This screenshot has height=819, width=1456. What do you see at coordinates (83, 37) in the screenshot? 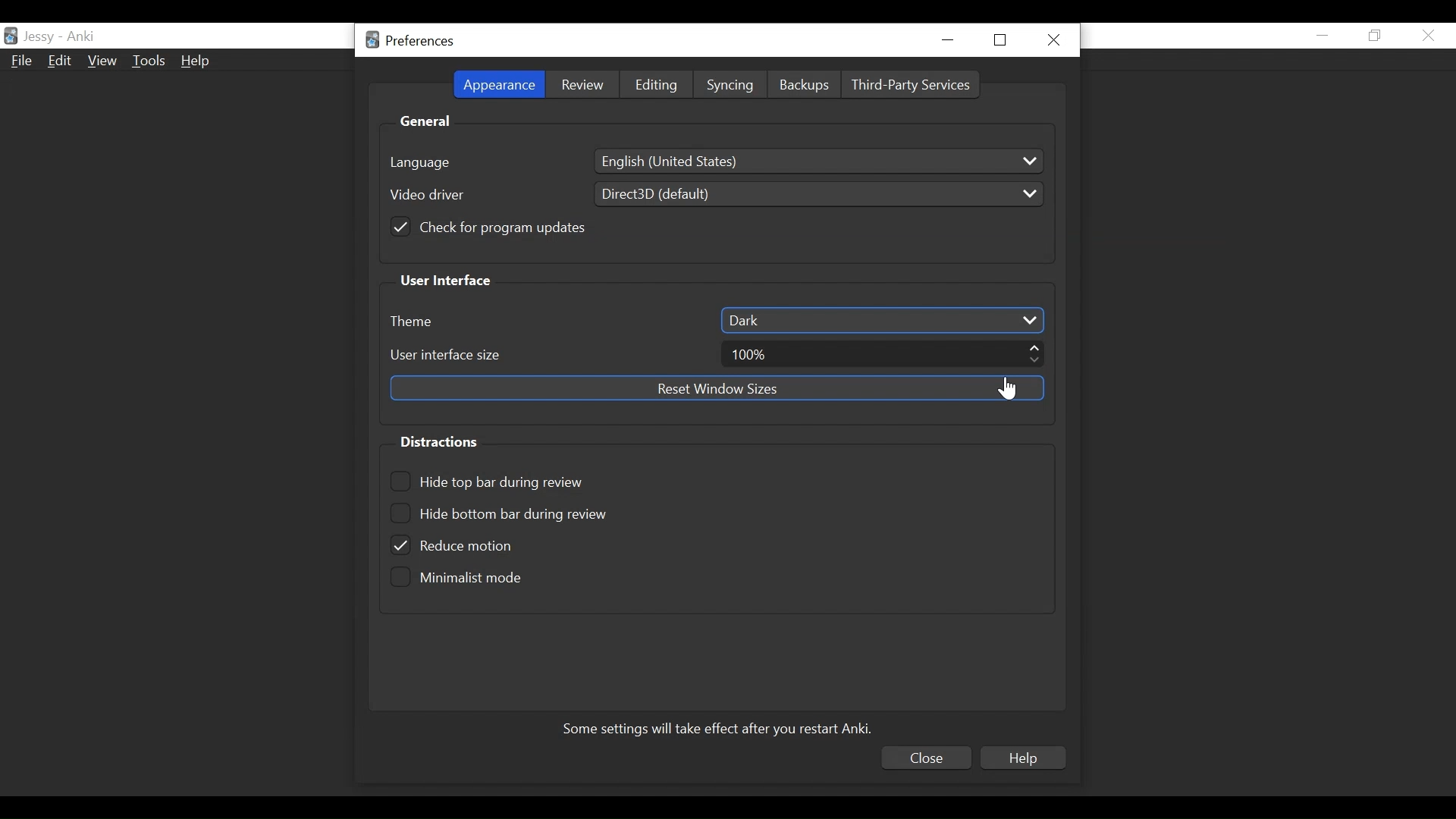
I see `Anki` at bounding box center [83, 37].